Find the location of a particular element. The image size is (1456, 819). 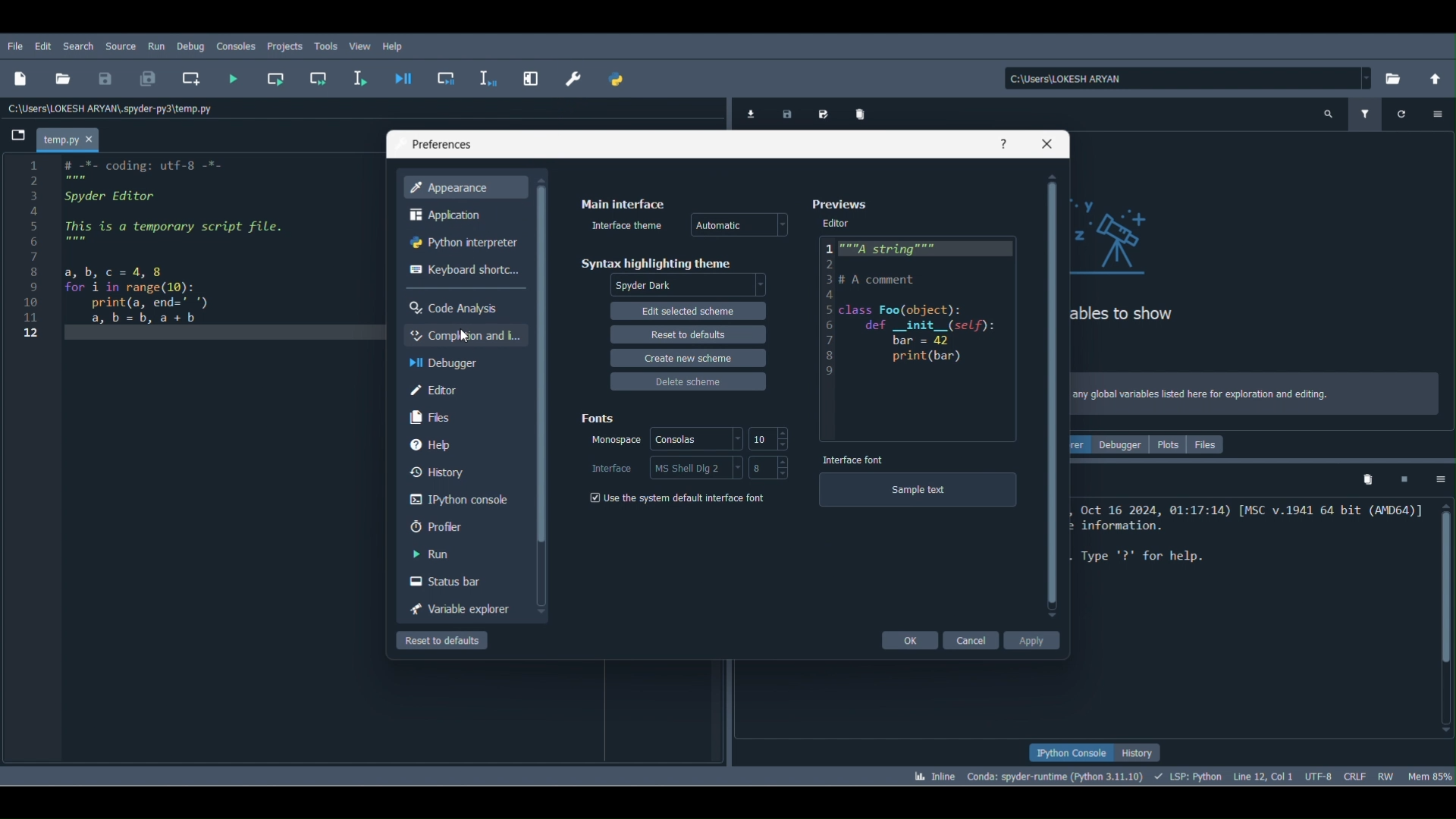

Size is located at coordinates (768, 466).